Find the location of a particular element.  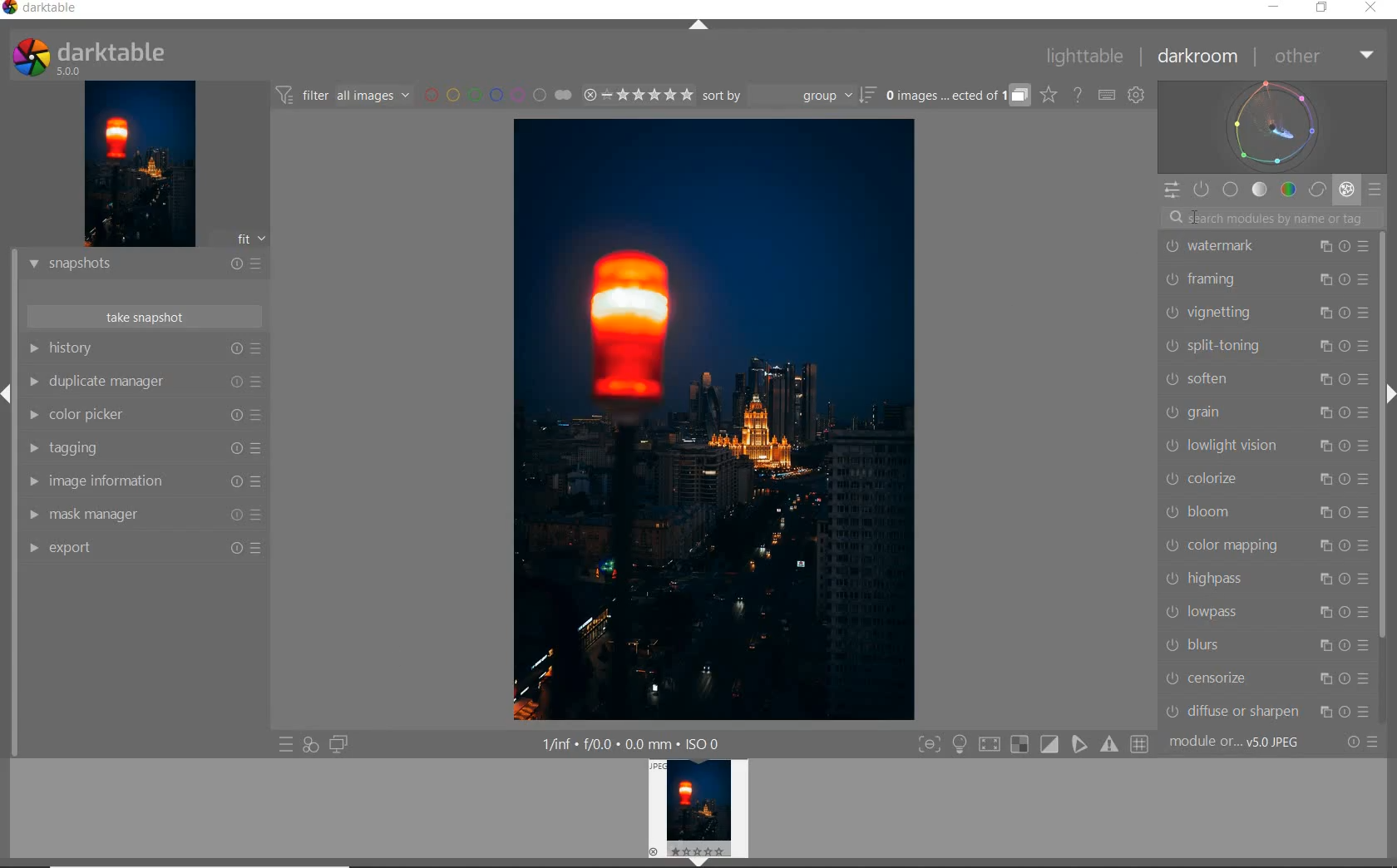

Multiple instance is located at coordinates (1318, 614).